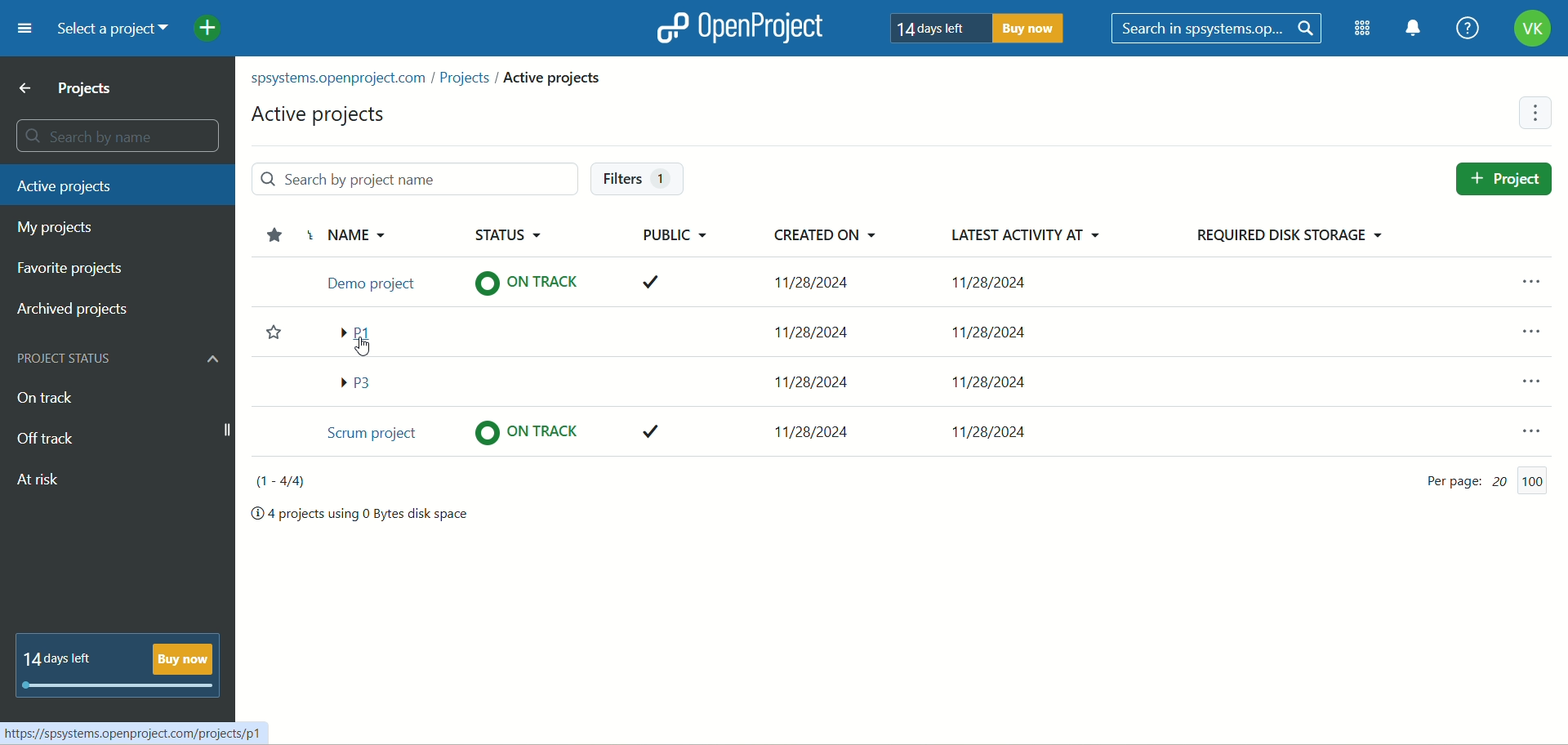 This screenshot has height=745, width=1568. What do you see at coordinates (520, 285) in the screenshot?
I see `on track` at bounding box center [520, 285].